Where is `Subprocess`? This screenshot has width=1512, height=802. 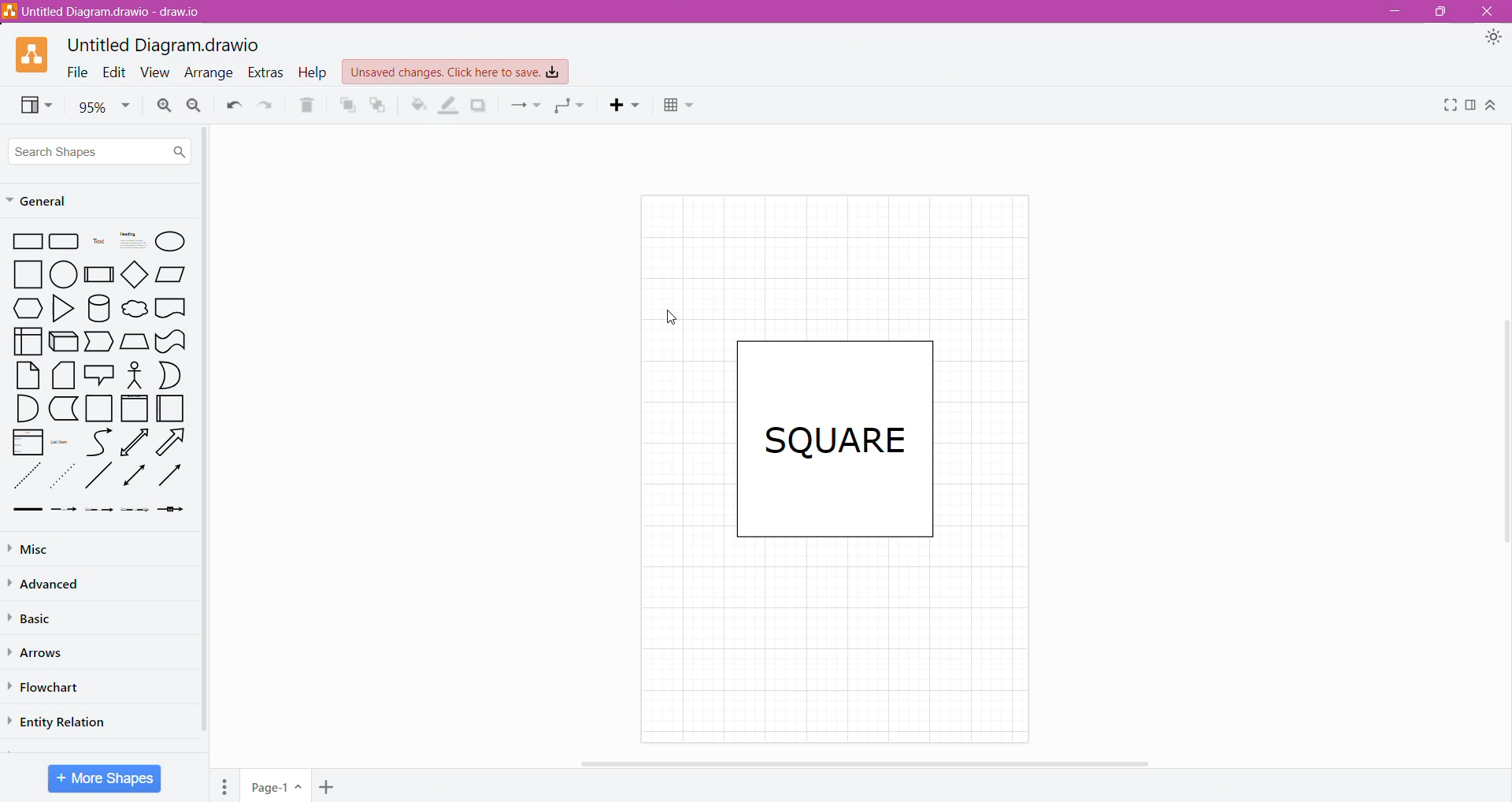
Subprocess is located at coordinates (99, 274).